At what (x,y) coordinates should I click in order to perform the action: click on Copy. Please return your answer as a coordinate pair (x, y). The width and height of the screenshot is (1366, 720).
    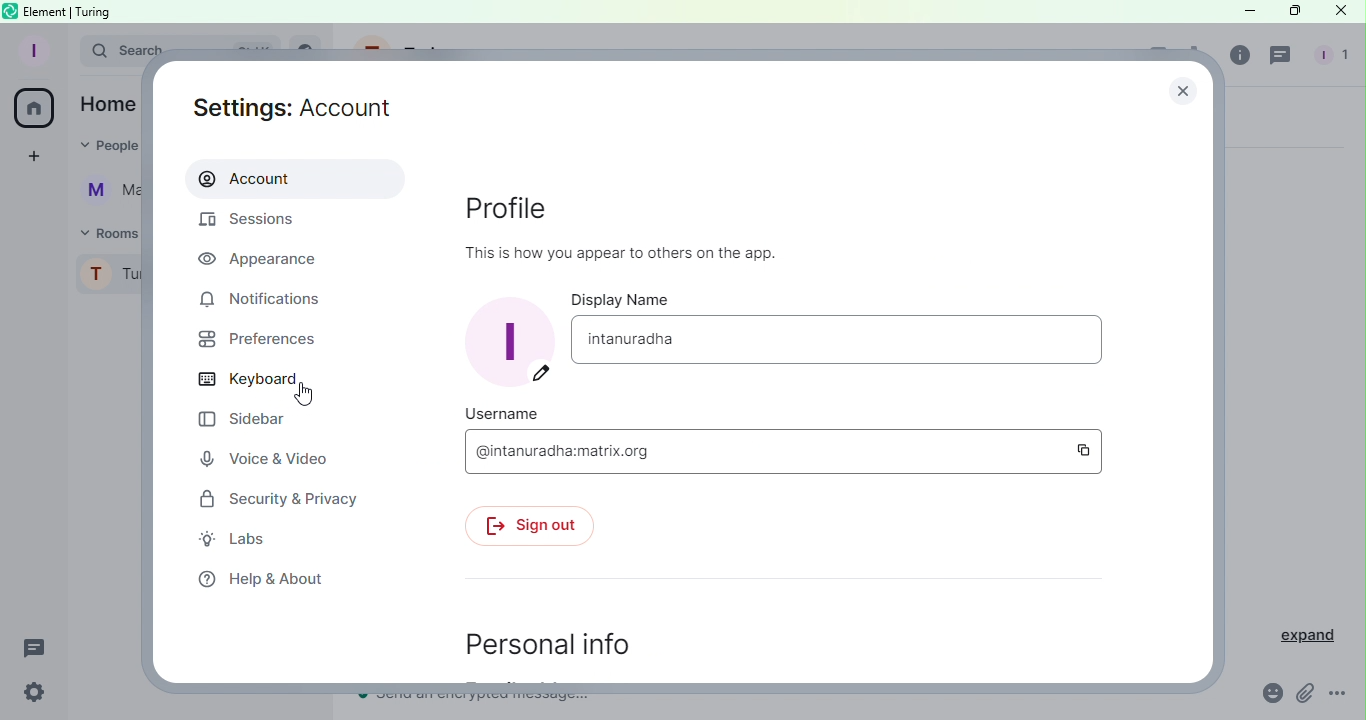
    Looking at the image, I should click on (1089, 450).